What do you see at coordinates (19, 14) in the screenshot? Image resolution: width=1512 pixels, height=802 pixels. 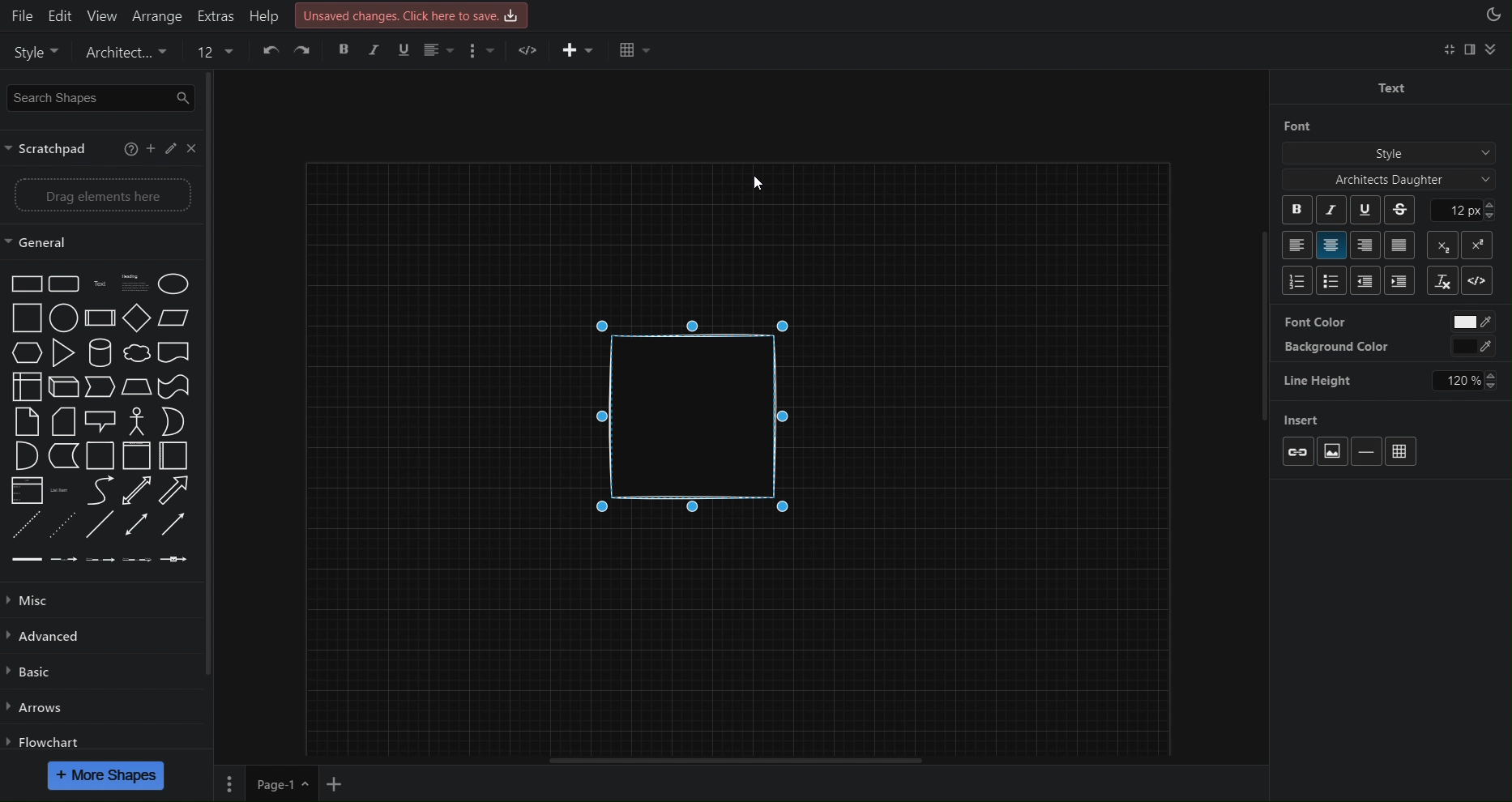 I see `File` at bounding box center [19, 14].